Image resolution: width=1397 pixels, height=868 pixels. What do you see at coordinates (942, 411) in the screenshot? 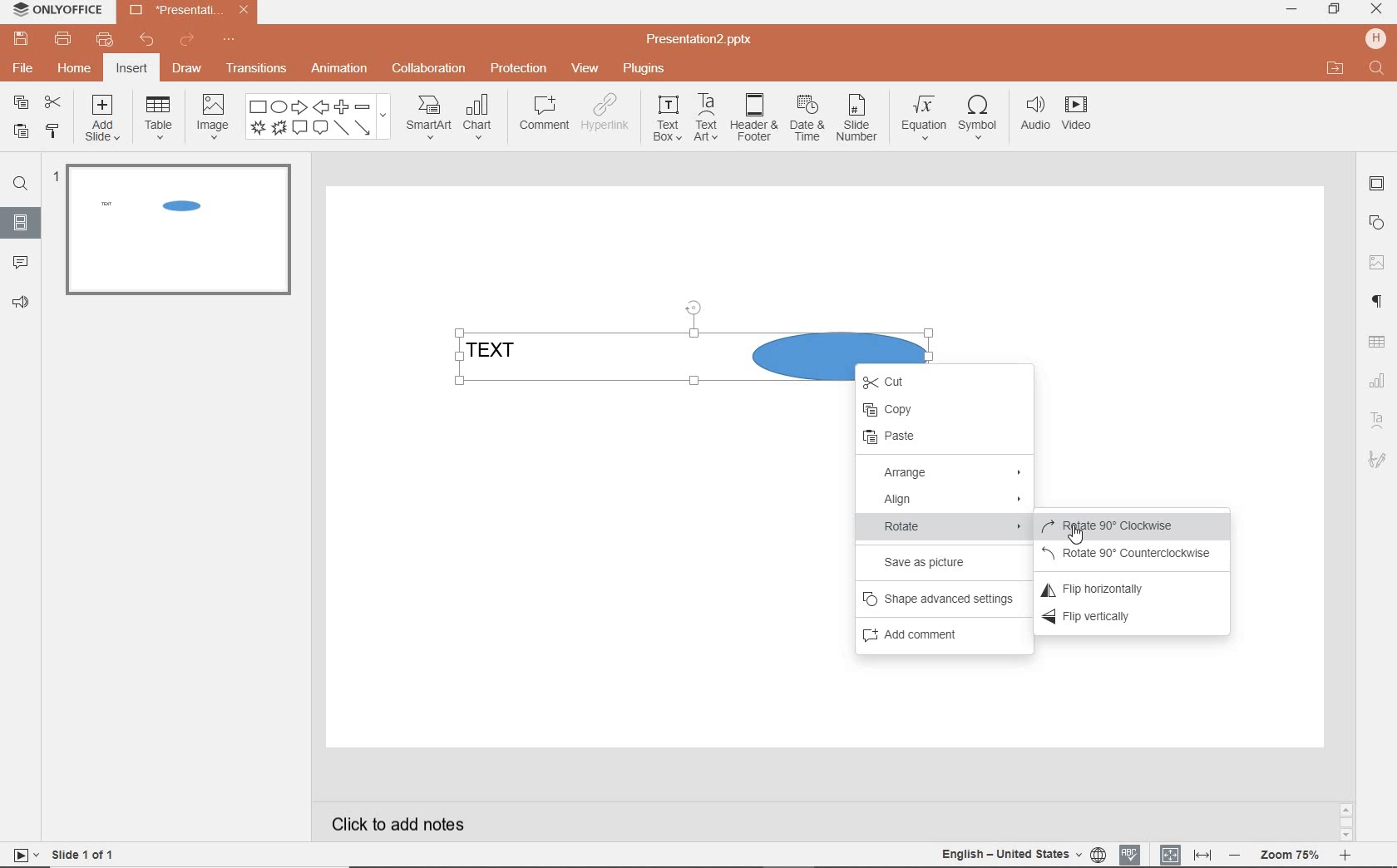
I see `copy` at bounding box center [942, 411].